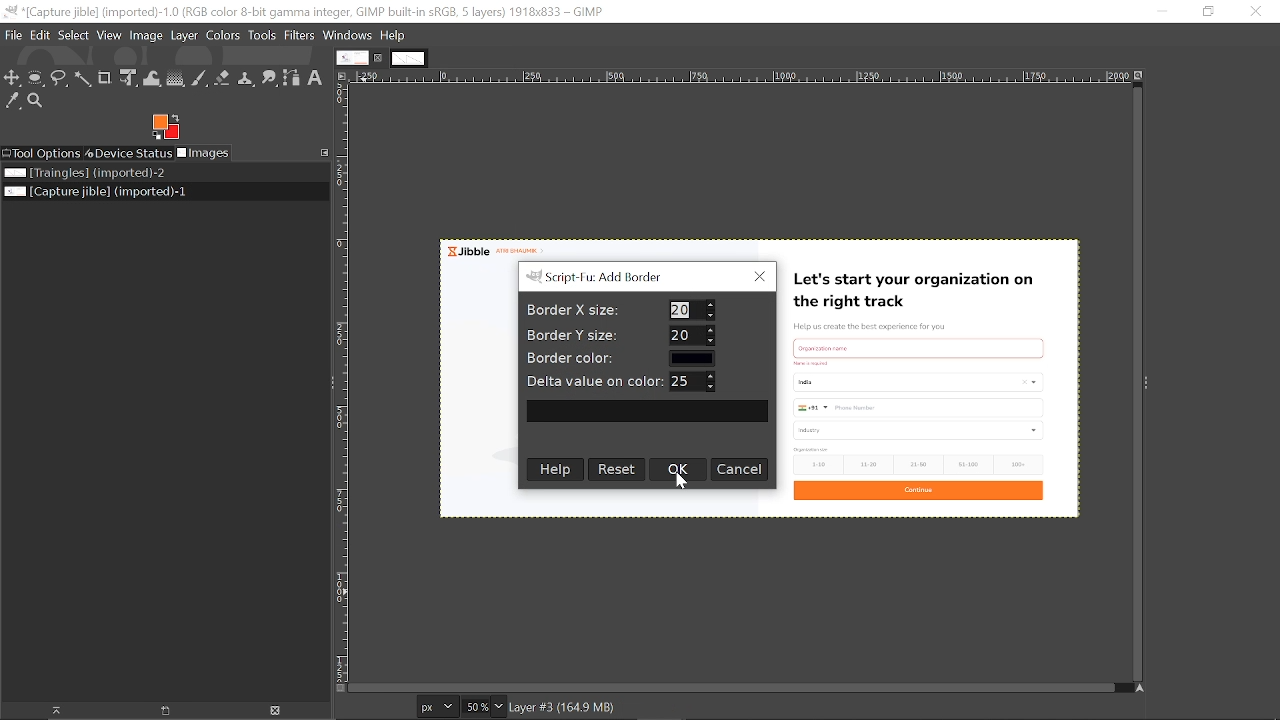 This screenshot has width=1280, height=720. What do you see at coordinates (761, 277) in the screenshot?
I see `Close` at bounding box center [761, 277].